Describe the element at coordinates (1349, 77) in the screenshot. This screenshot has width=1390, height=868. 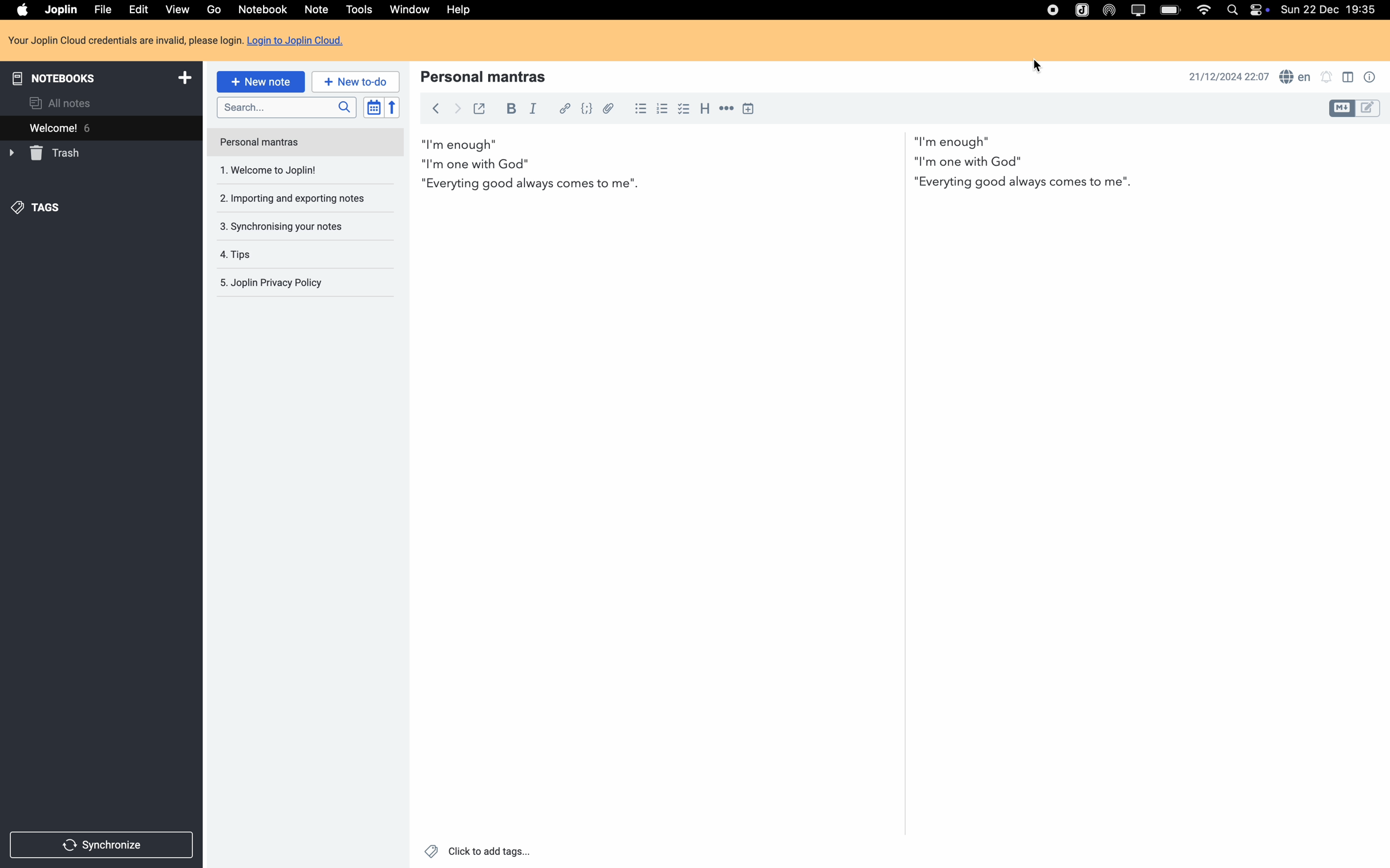
I see `toggle editor layout` at that location.